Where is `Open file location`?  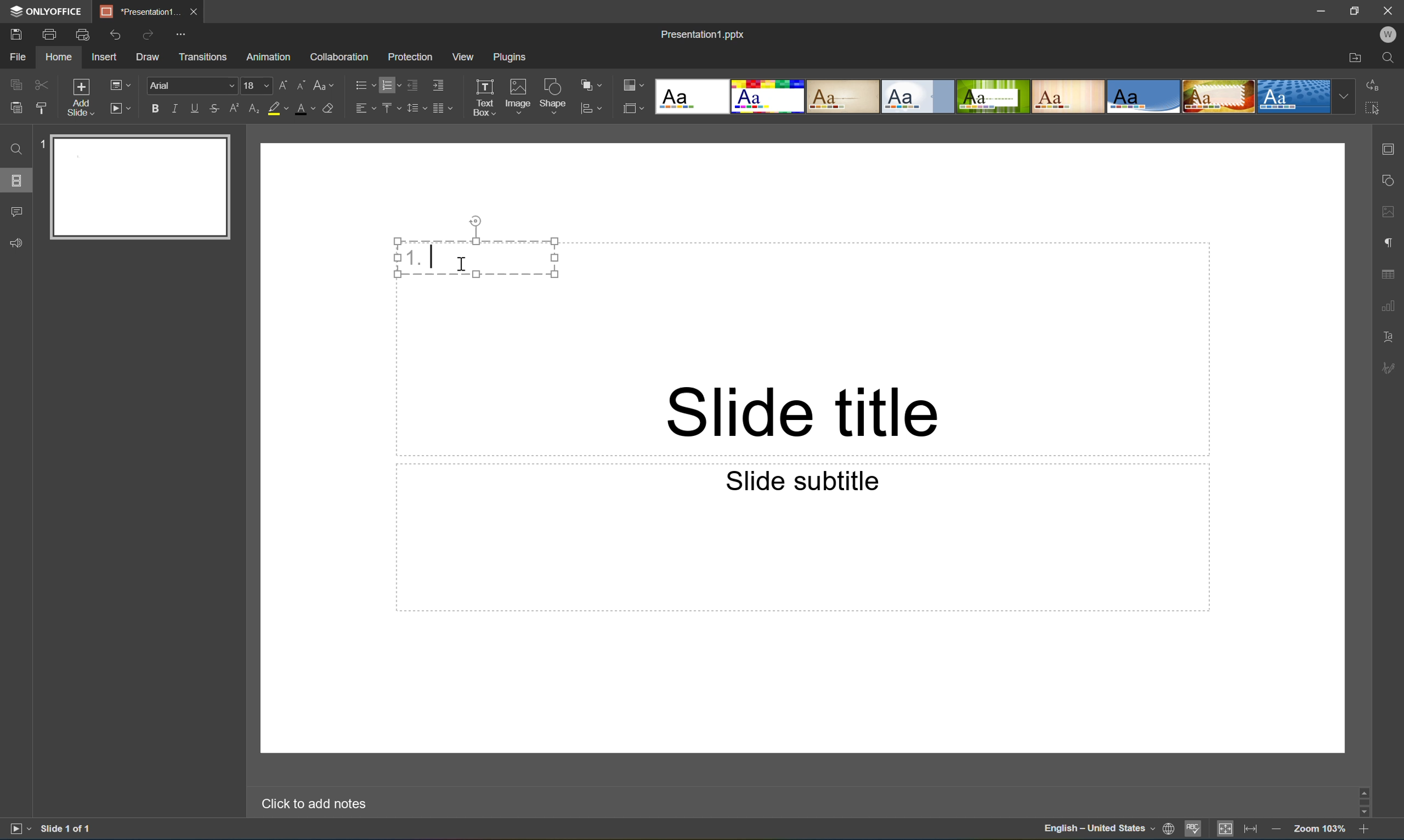
Open file location is located at coordinates (1357, 58).